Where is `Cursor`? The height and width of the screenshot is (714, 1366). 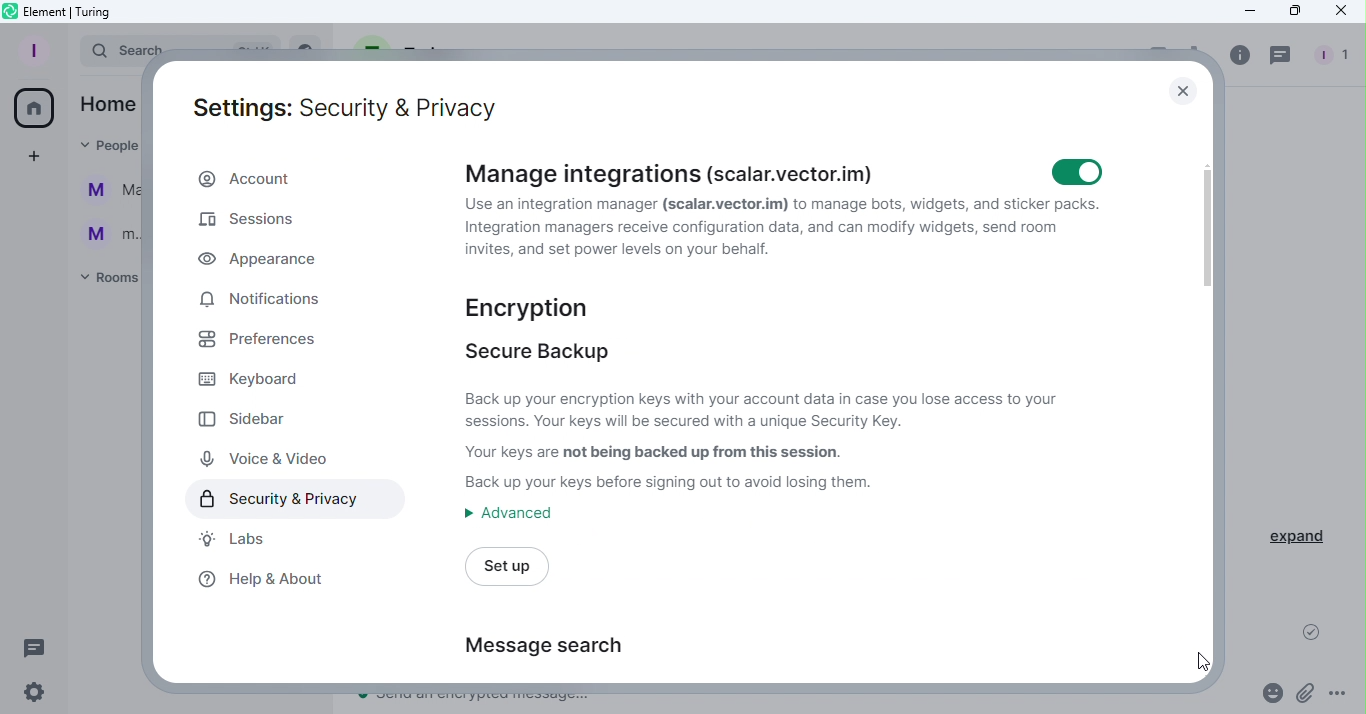
Cursor is located at coordinates (1205, 663).